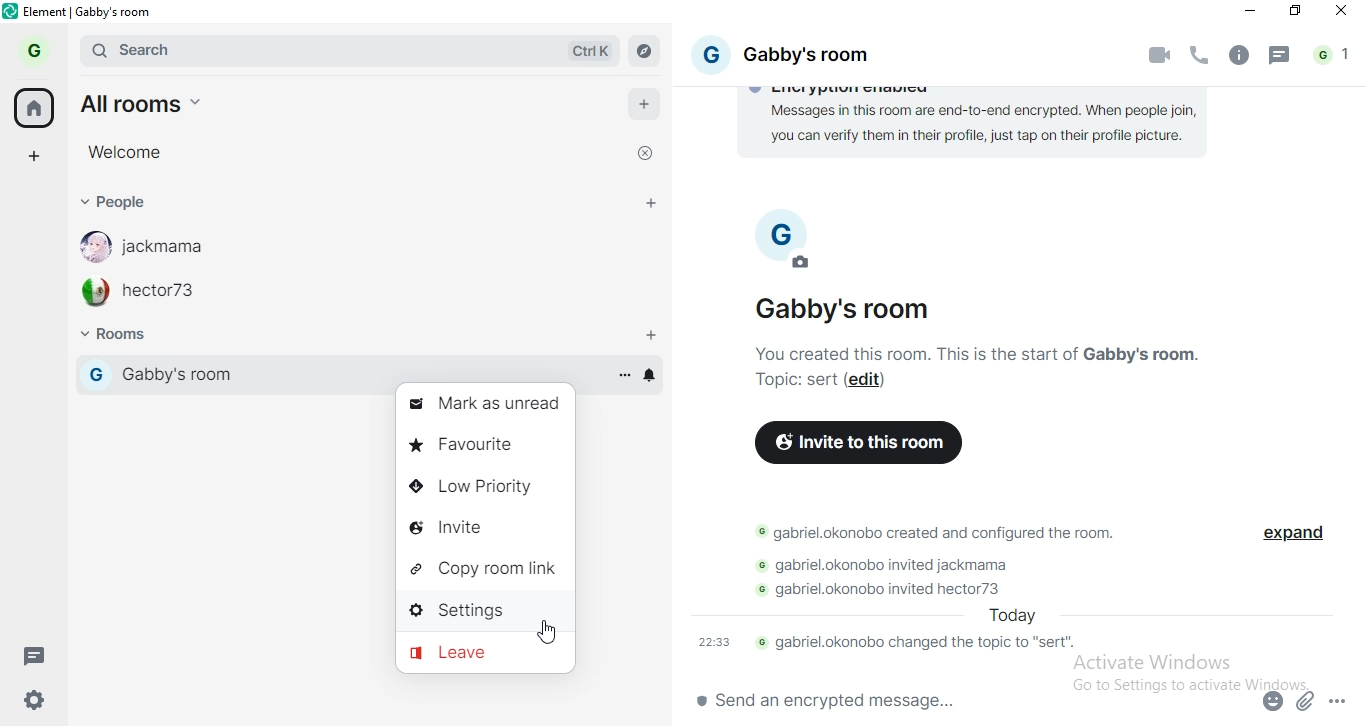  Describe the element at coordinates (652, 206) in the screenshot. I see `add people` at that location.